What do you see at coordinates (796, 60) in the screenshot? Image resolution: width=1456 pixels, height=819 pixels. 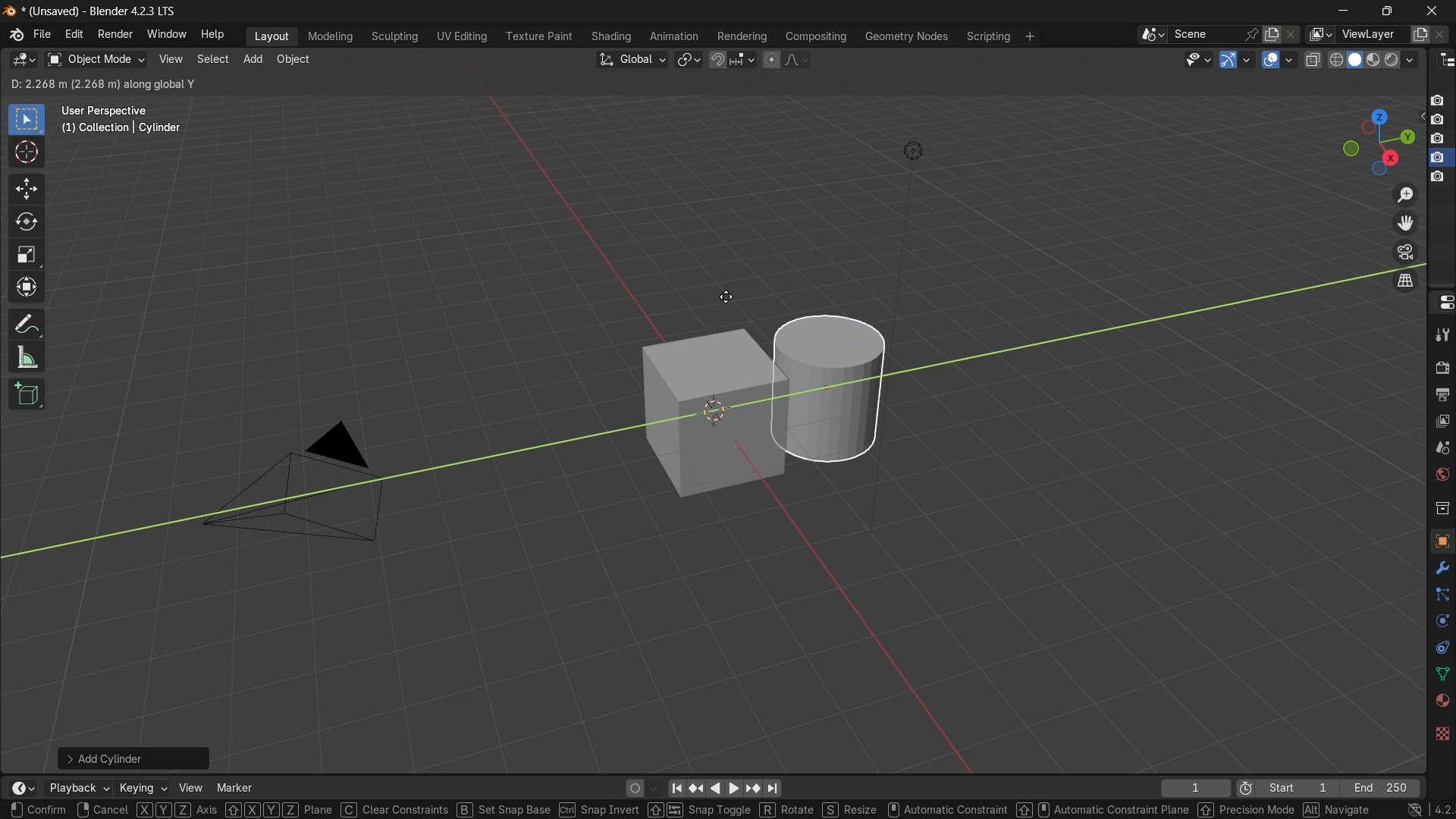 I see `proportional editing falloff` at bounding box center [796, 60].